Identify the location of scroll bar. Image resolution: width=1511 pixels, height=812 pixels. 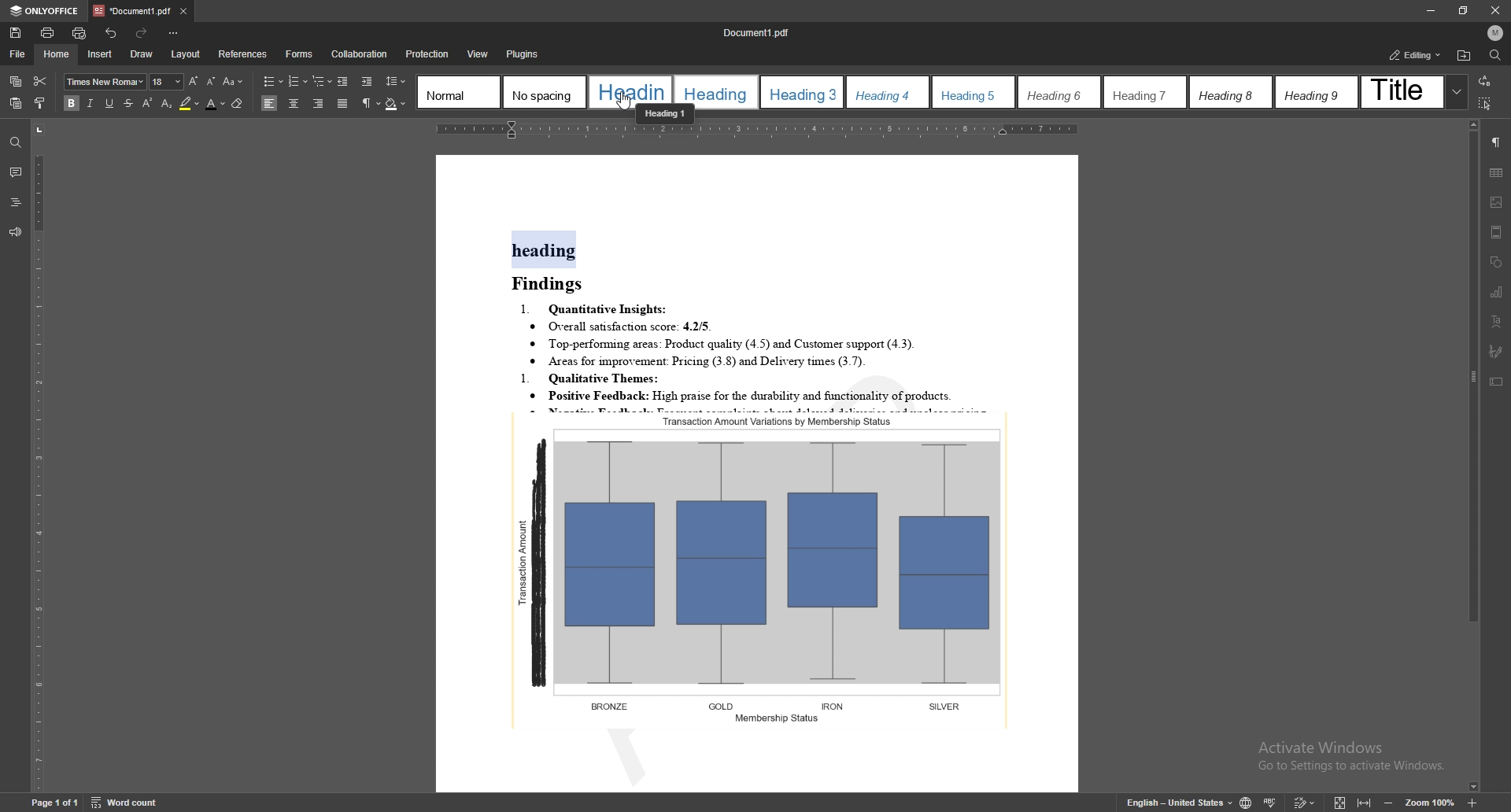
(1471, 456).